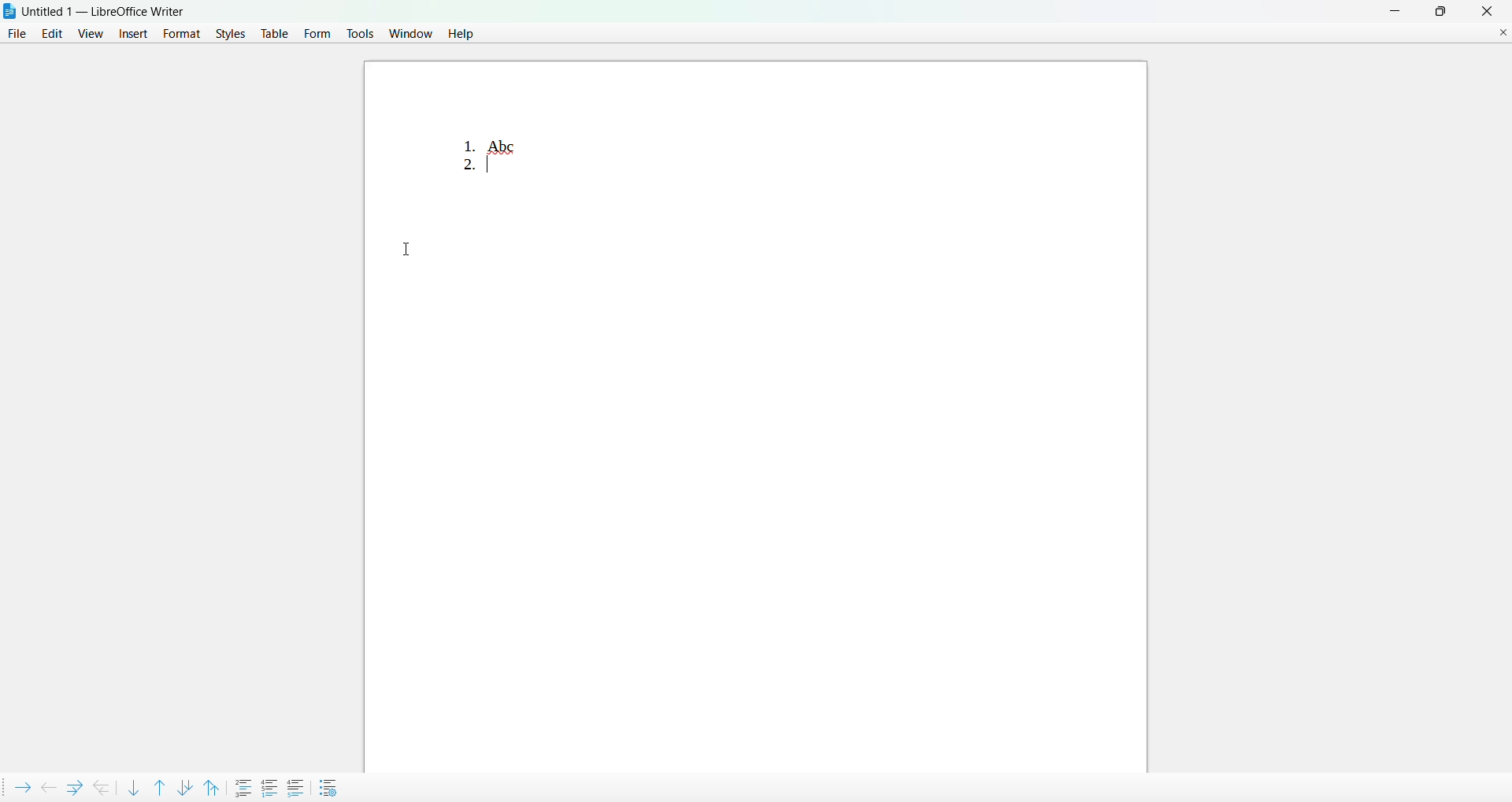 This screenshot has height=802, width=1512. Describe the element at coordinates (410, 33) in the screenshot. I see `window` at that location.